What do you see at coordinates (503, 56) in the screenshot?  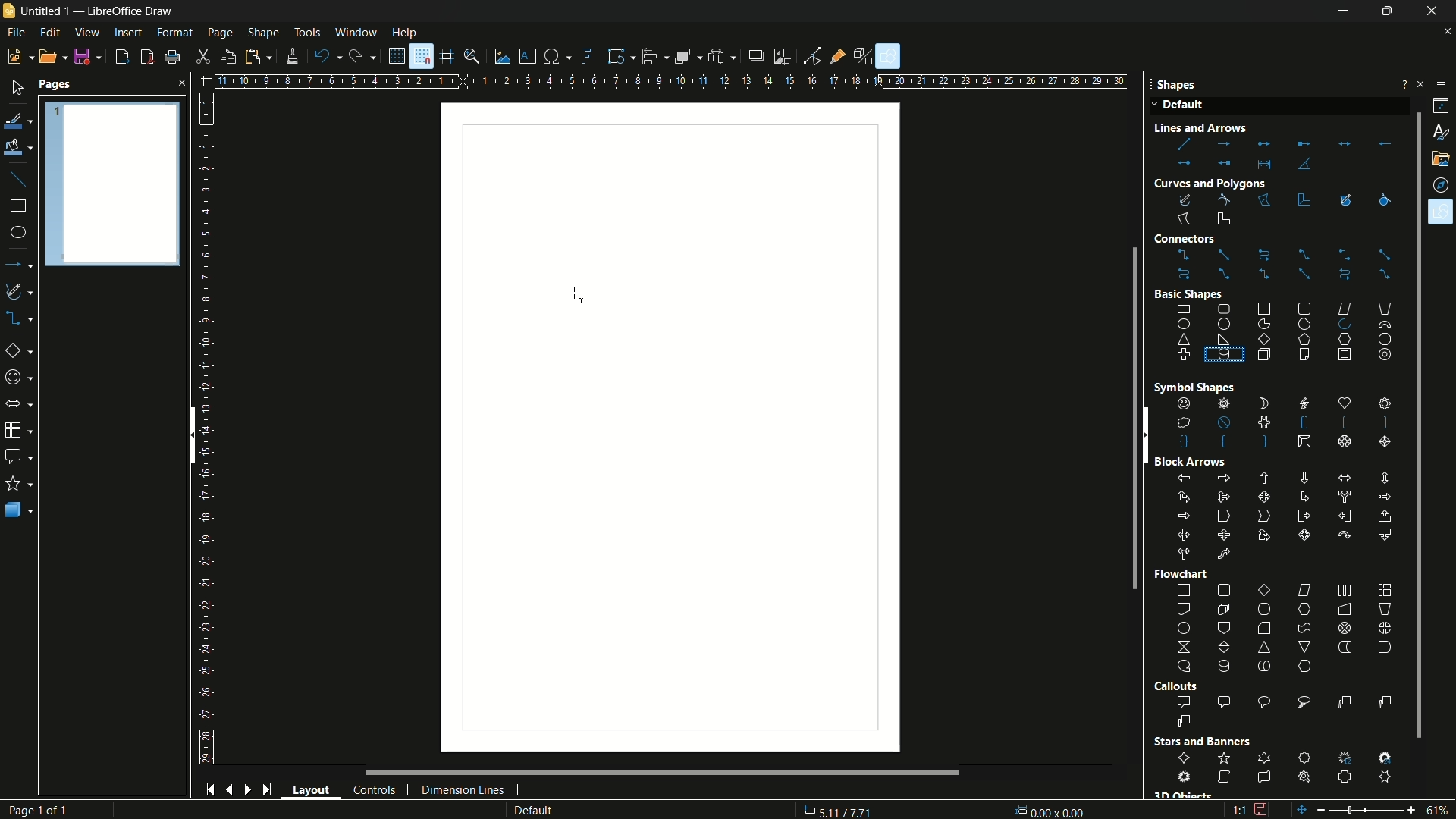 I see `insert image` at bounding box center [503, 56].